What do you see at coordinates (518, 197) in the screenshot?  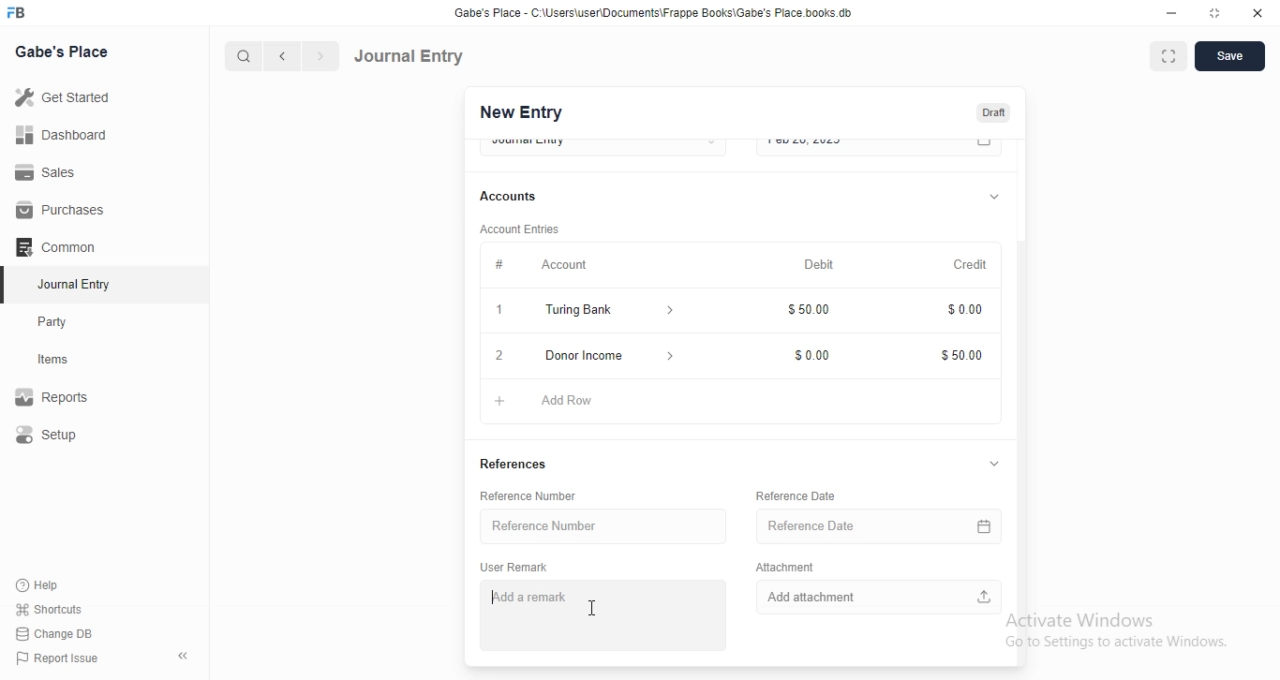 I see `Accounts.` at bounding box center [518, 197].